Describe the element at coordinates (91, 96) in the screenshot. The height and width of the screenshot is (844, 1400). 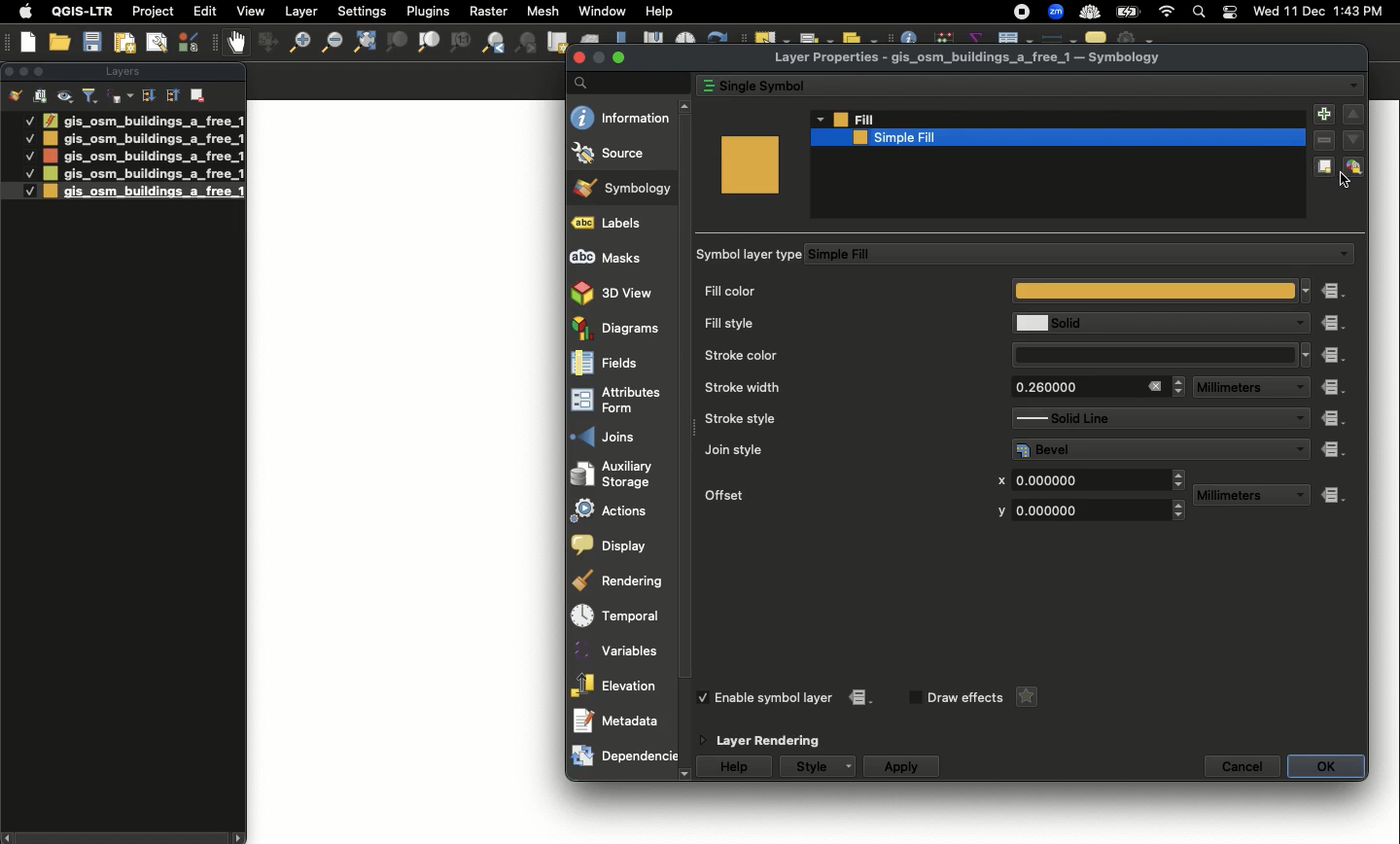
I see `Filter legend` at that location.